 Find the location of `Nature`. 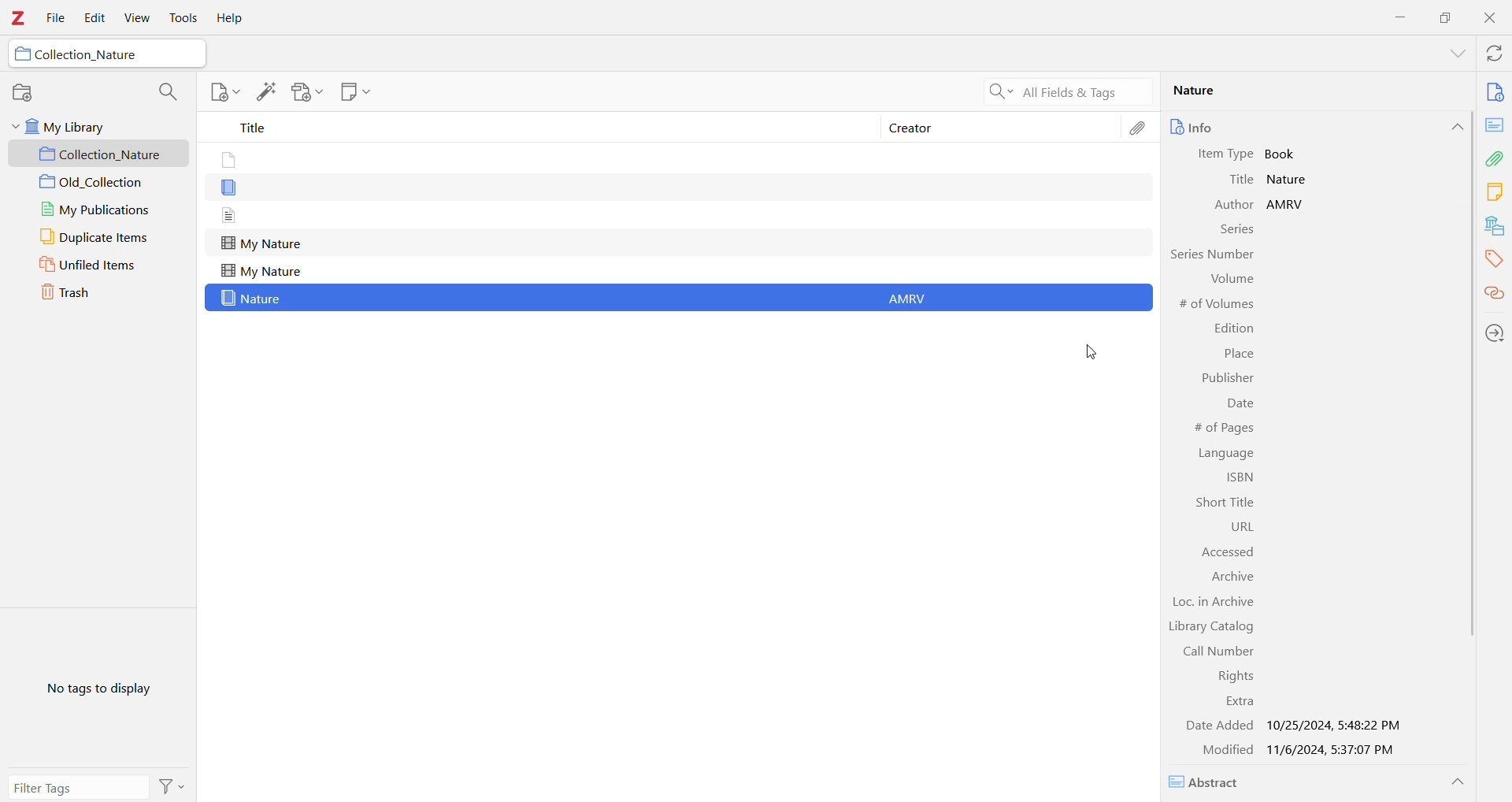

Nature is located at coordinates (254, 299).